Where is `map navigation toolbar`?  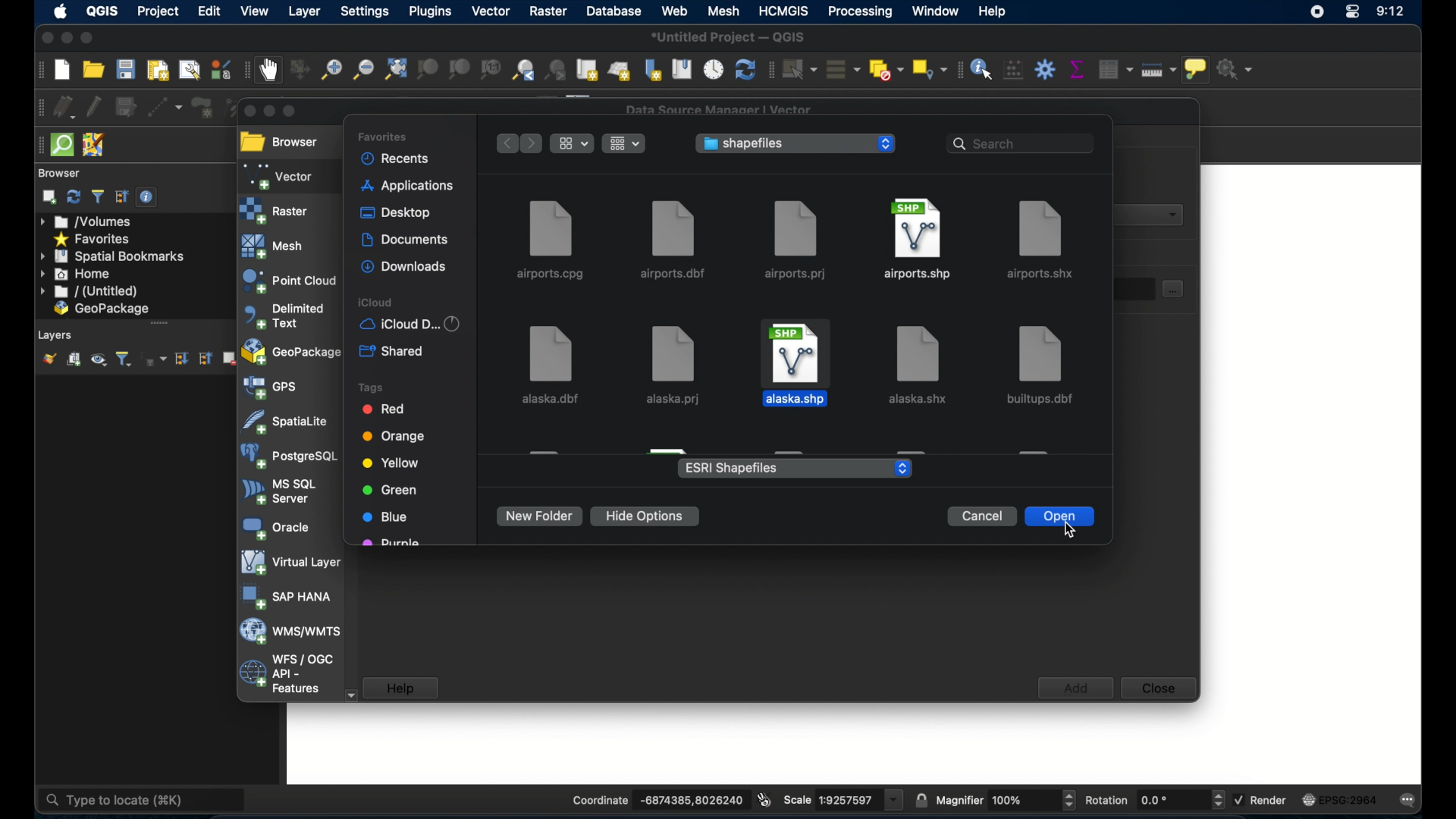
map navigation toolbar is located at coordinates (245, 72).